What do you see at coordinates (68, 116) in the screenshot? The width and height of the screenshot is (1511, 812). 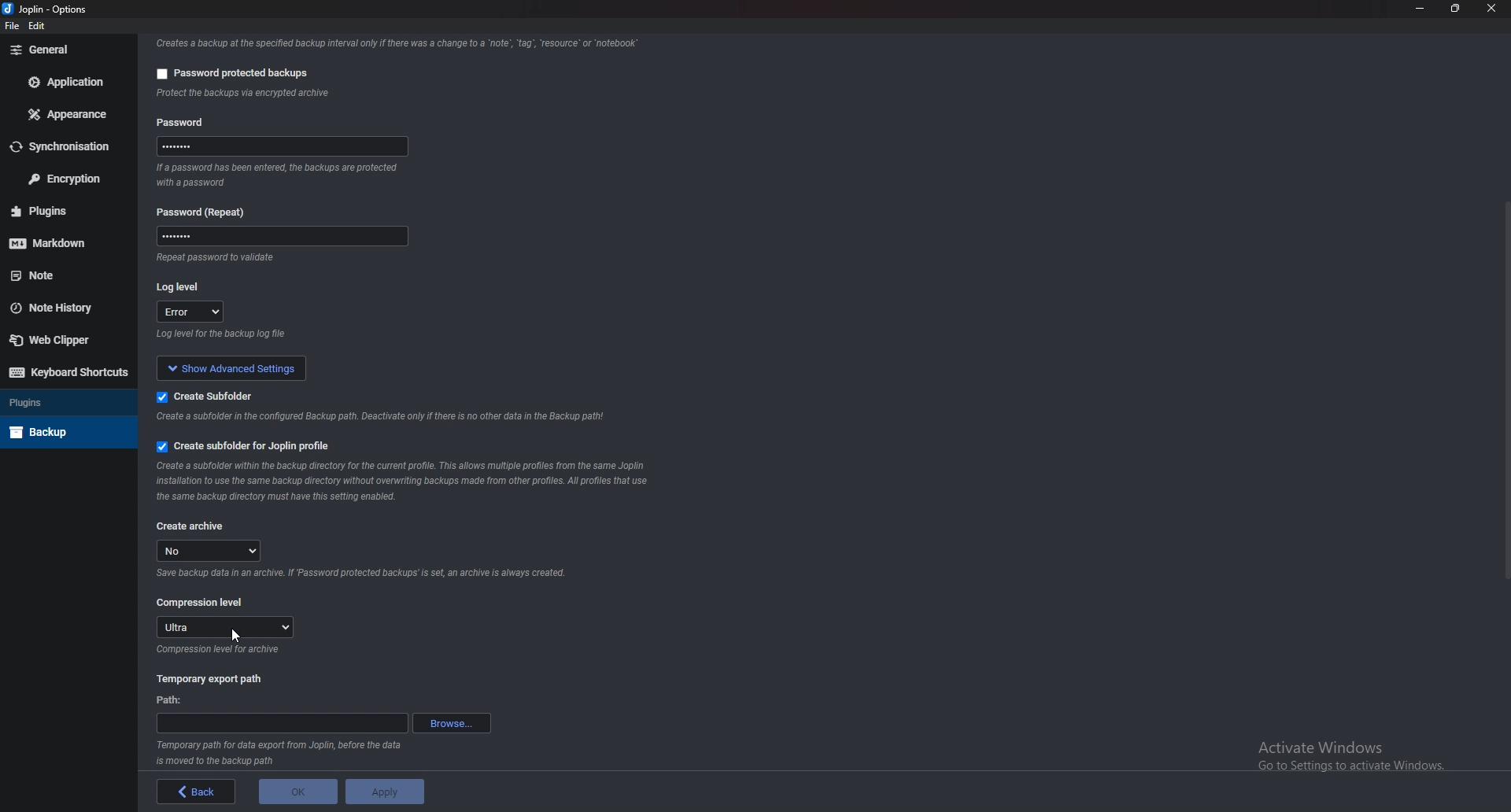 I see `Appearance` at bounding box center [68, 116].